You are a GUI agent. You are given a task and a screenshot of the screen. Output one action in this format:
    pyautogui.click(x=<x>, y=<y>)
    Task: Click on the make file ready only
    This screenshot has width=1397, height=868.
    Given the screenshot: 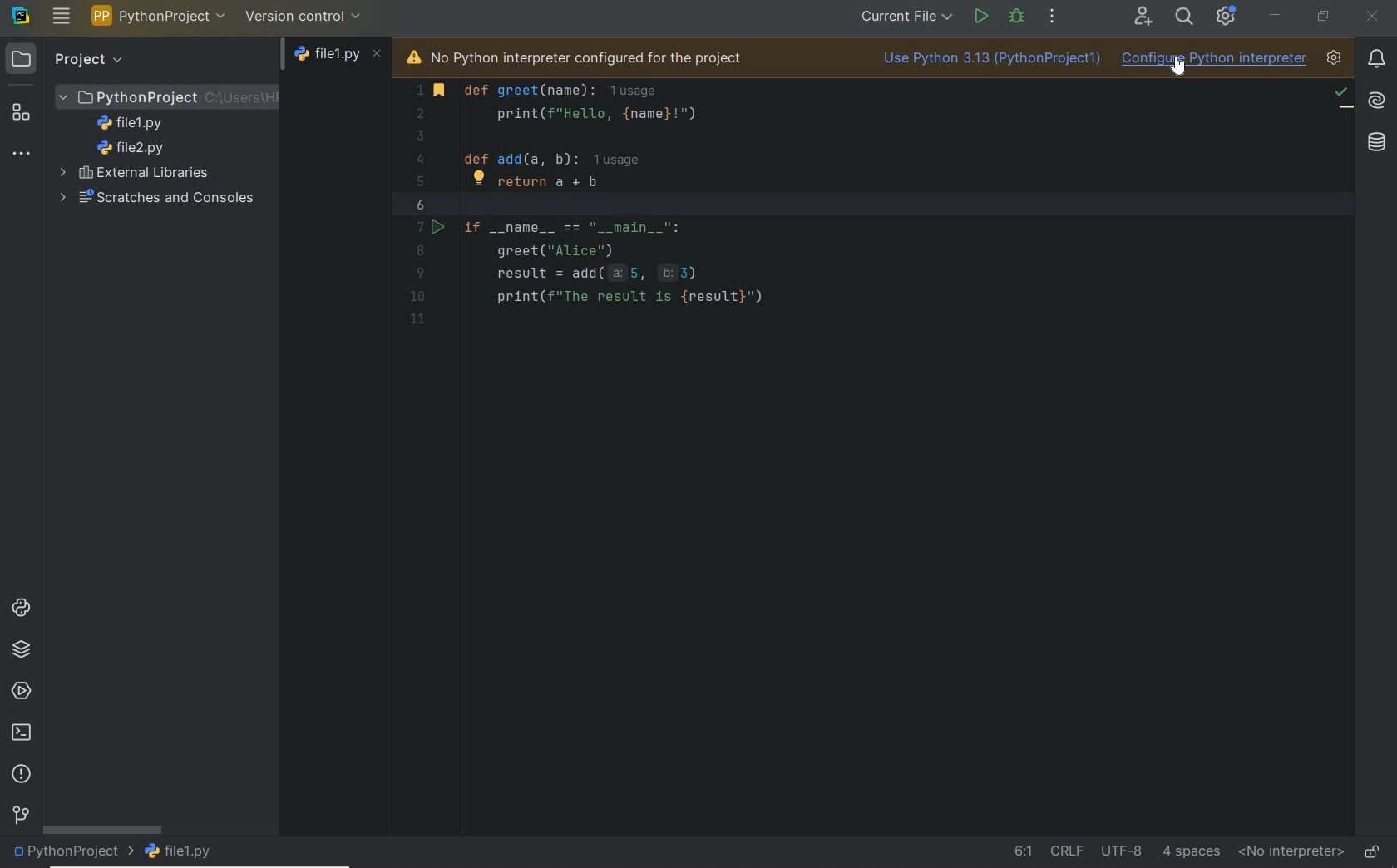 What is the action you would take?
    pyautogui.click(x=1372, y=851)
    